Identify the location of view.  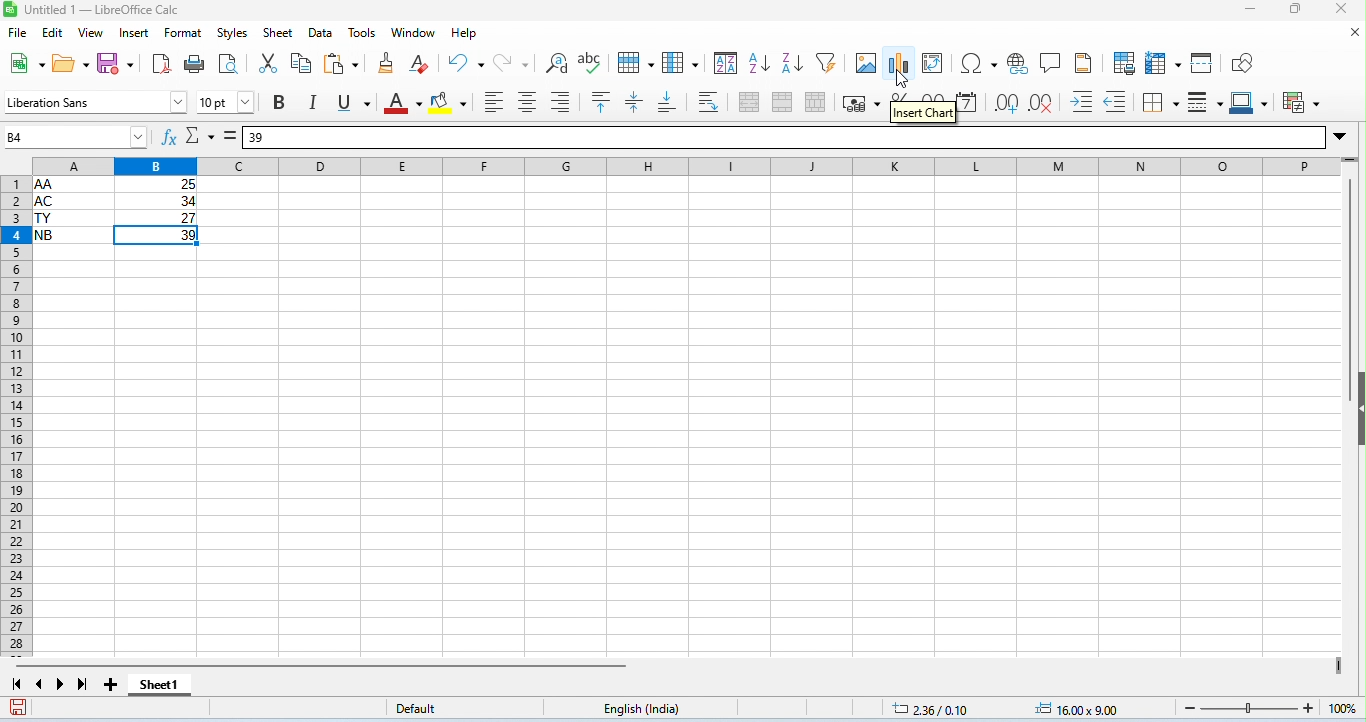
(91, 33).